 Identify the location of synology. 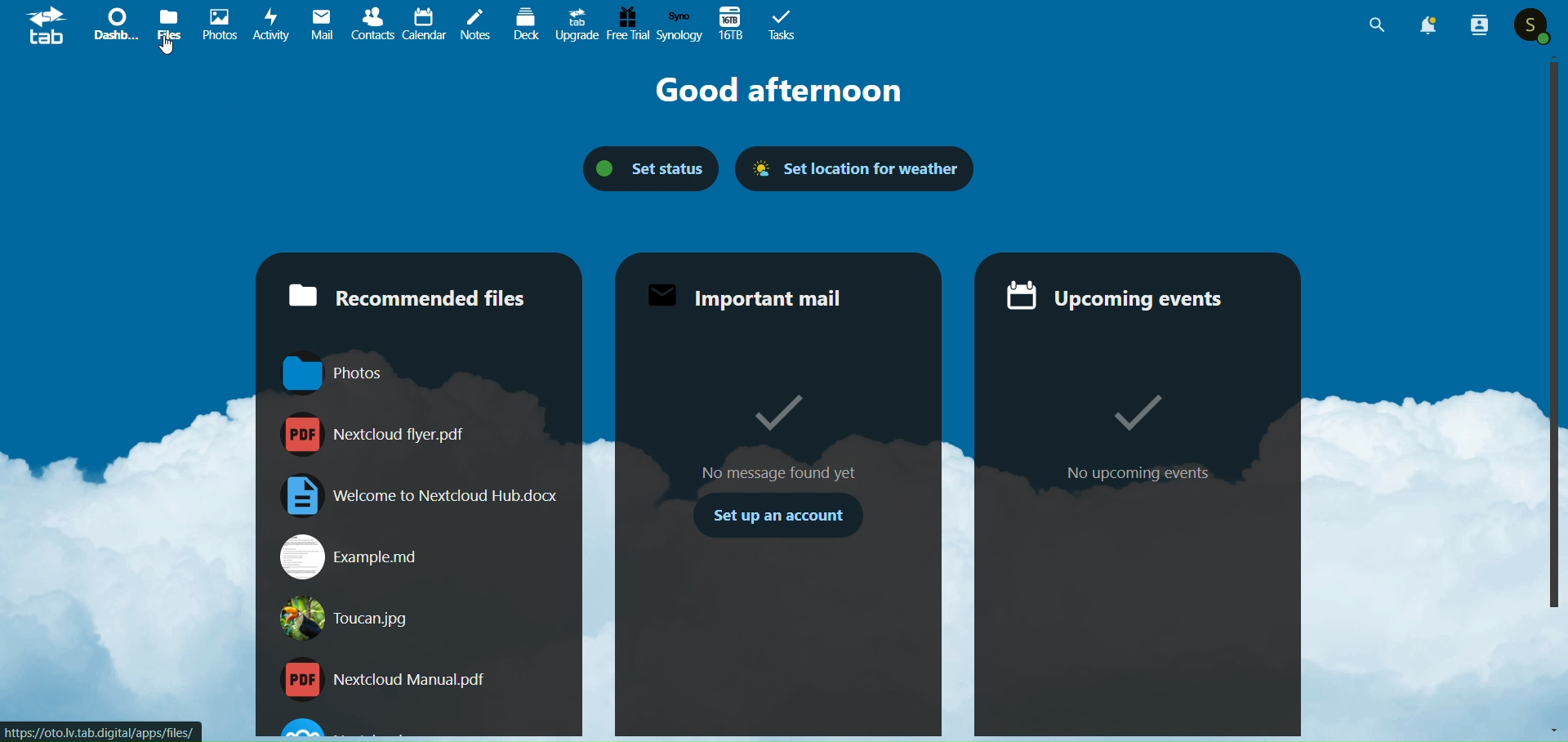
(680, 26).